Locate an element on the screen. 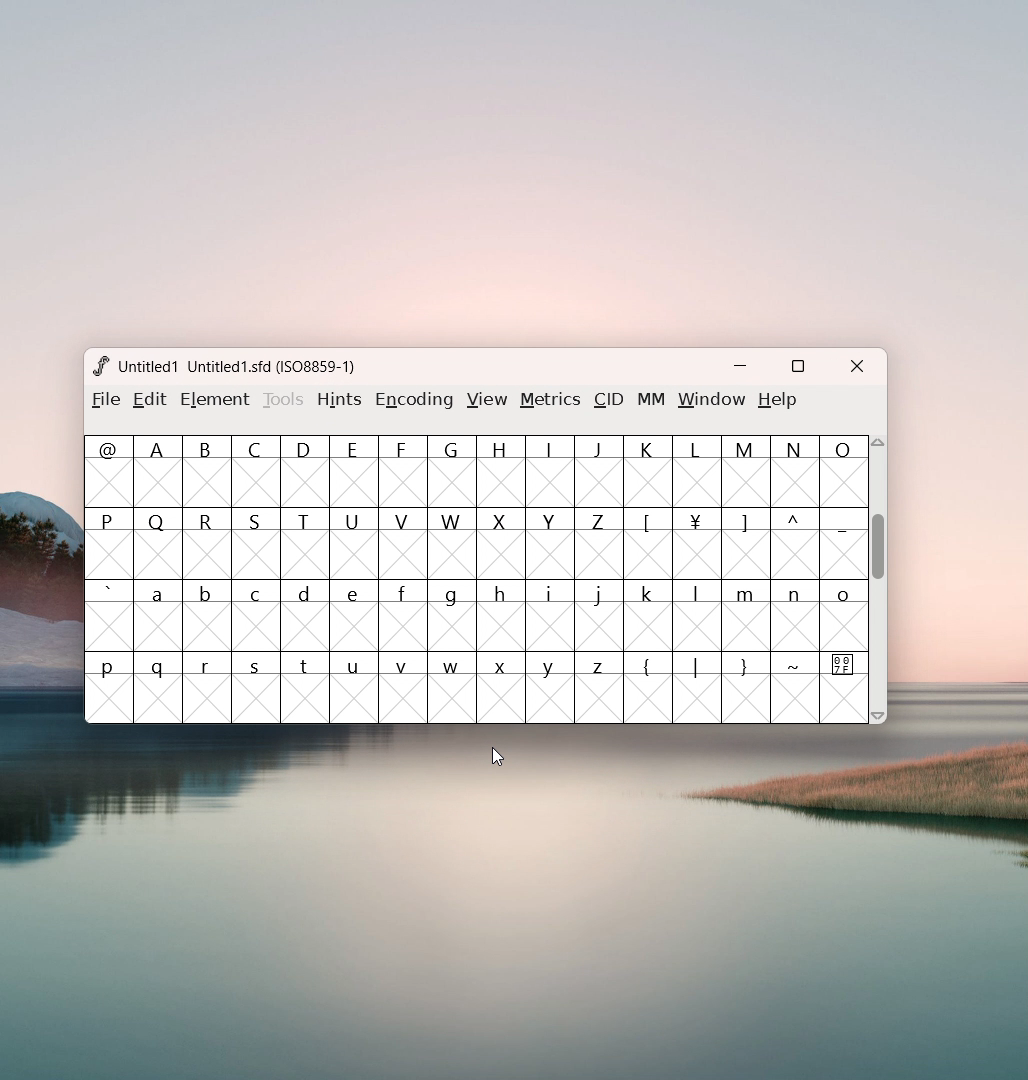  tools is located at coordinates (282, 400).